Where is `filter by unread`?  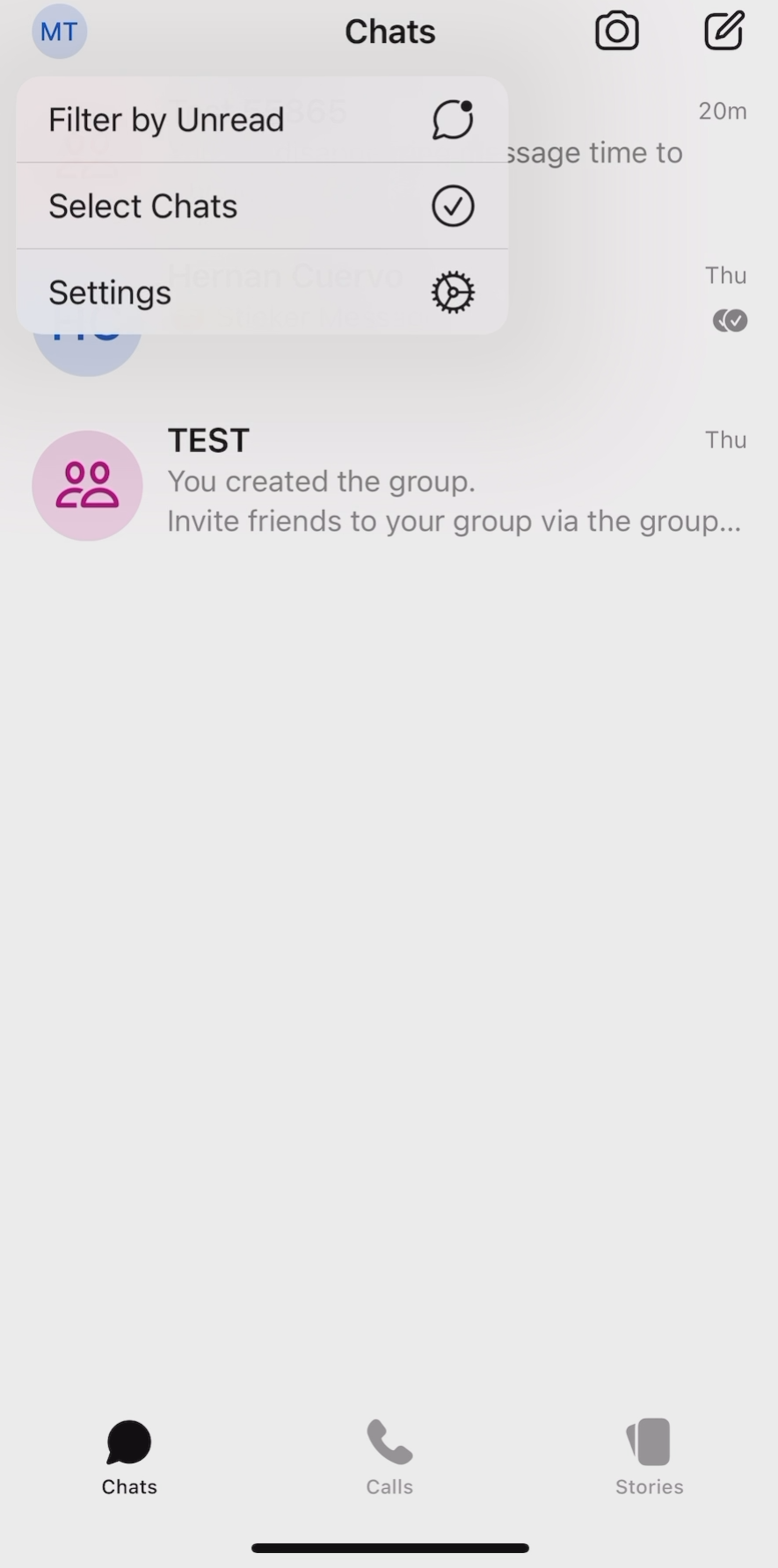 filter by unread is located at coordinates (264, 120).